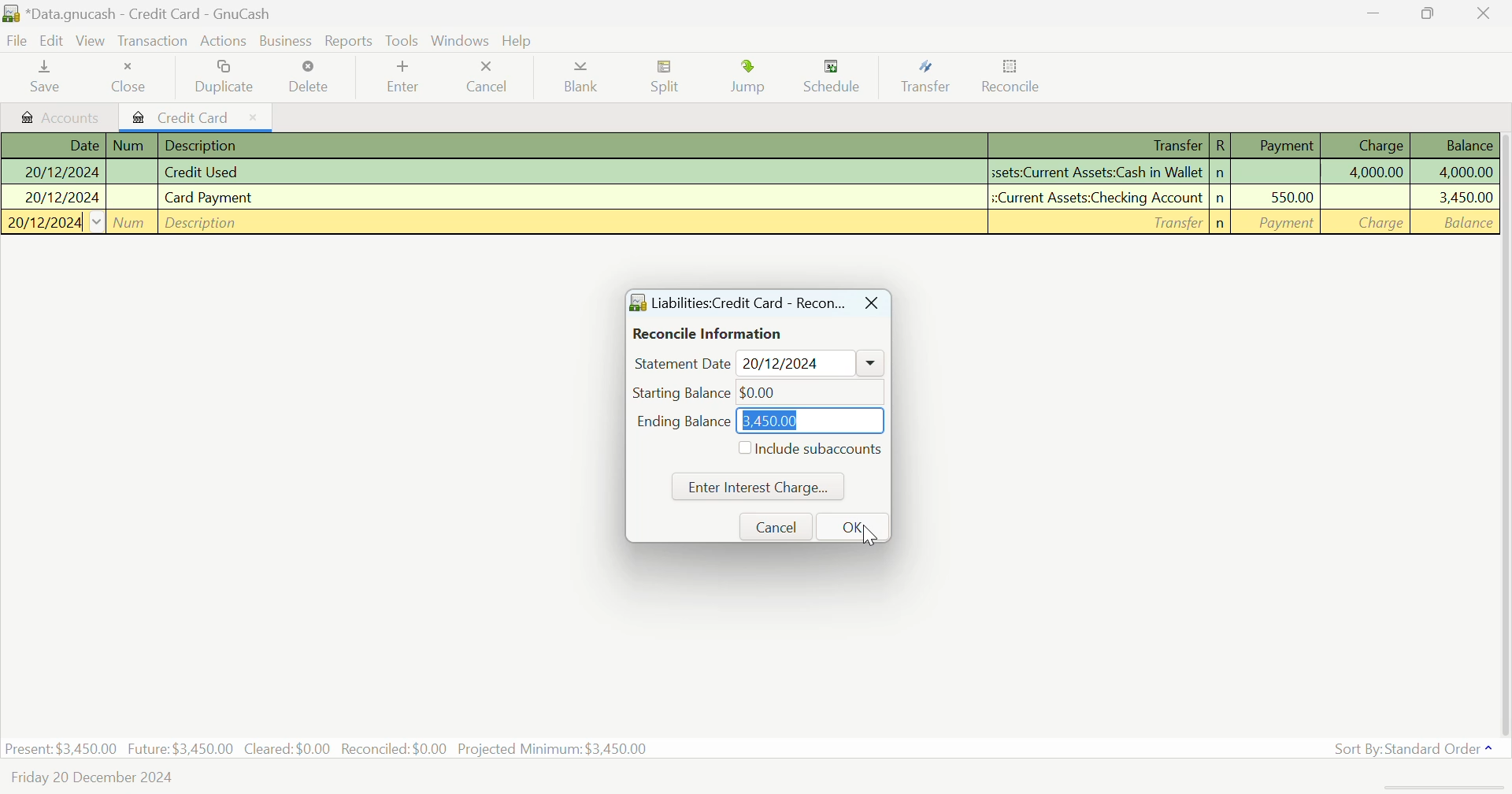 This screenshot has height=794, width=1512. What do you see at coordinates (584, 76) in the screenshot?
I see `Blank` at bounding box center [584, 76].